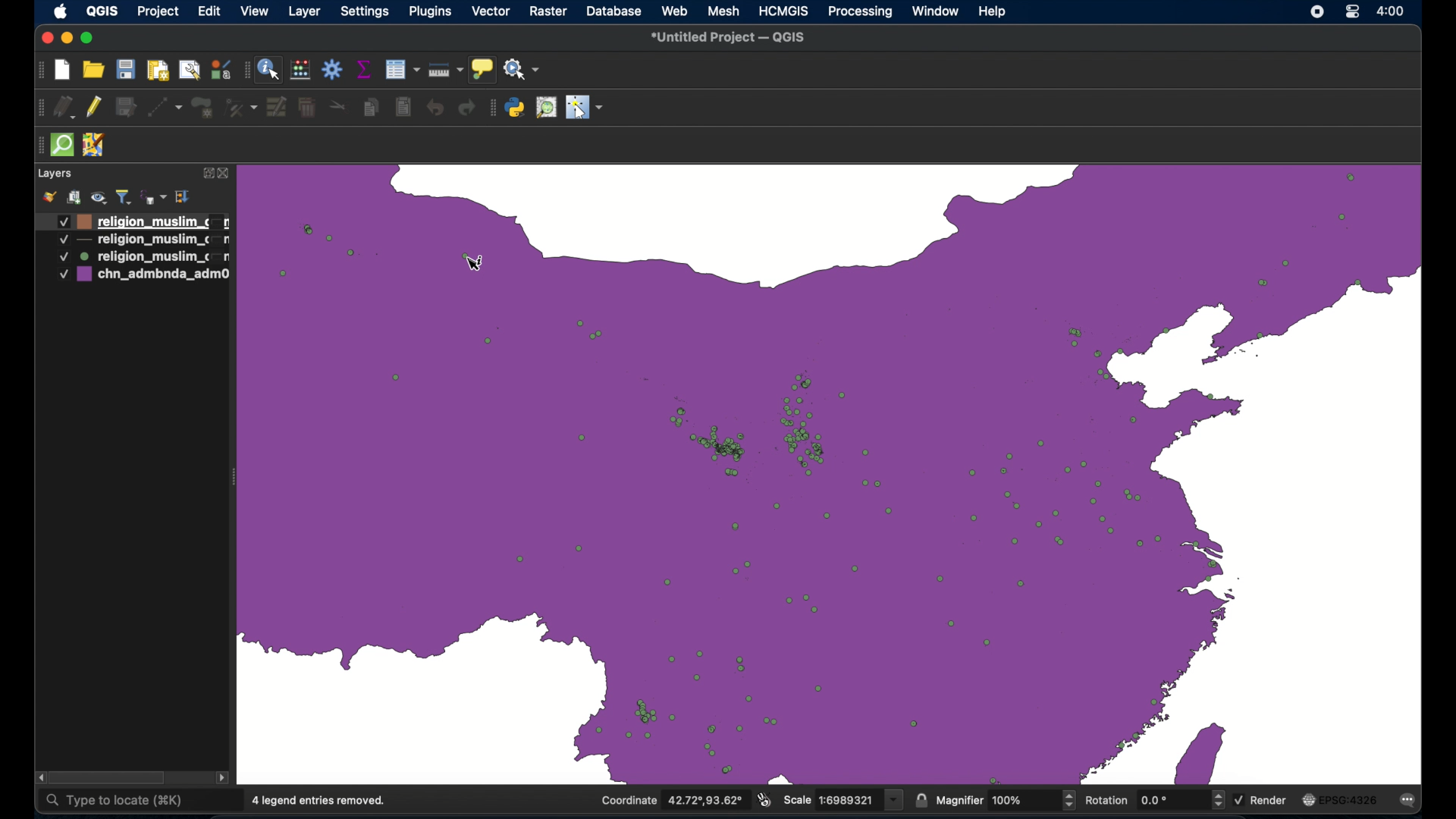 The height and width of the screenshot is (819, 1456). Describe the element at coordinates (484, 69) in the screenshot. I see `show map tips` at that location.